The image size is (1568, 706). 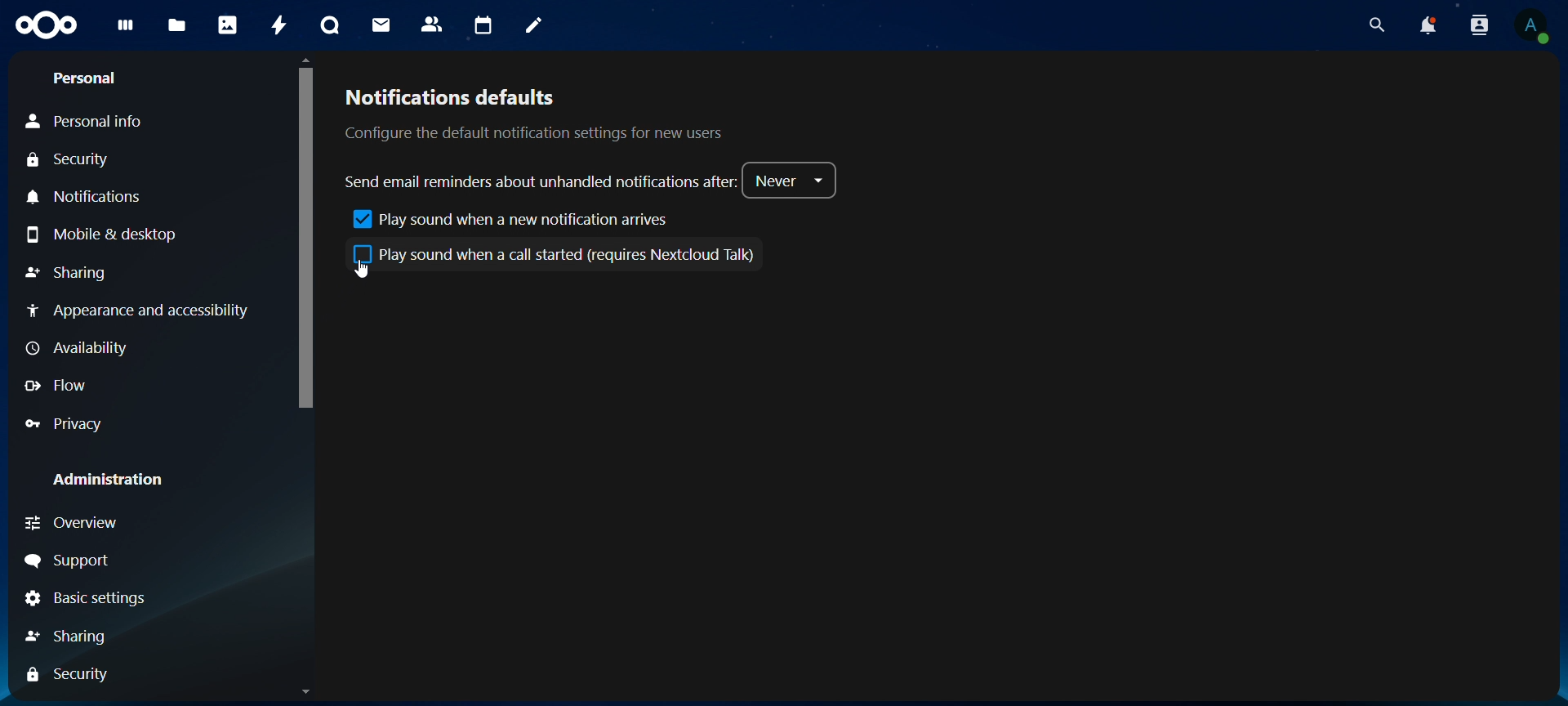 I want to click on Scrollbar, so click(x=299, y=378).